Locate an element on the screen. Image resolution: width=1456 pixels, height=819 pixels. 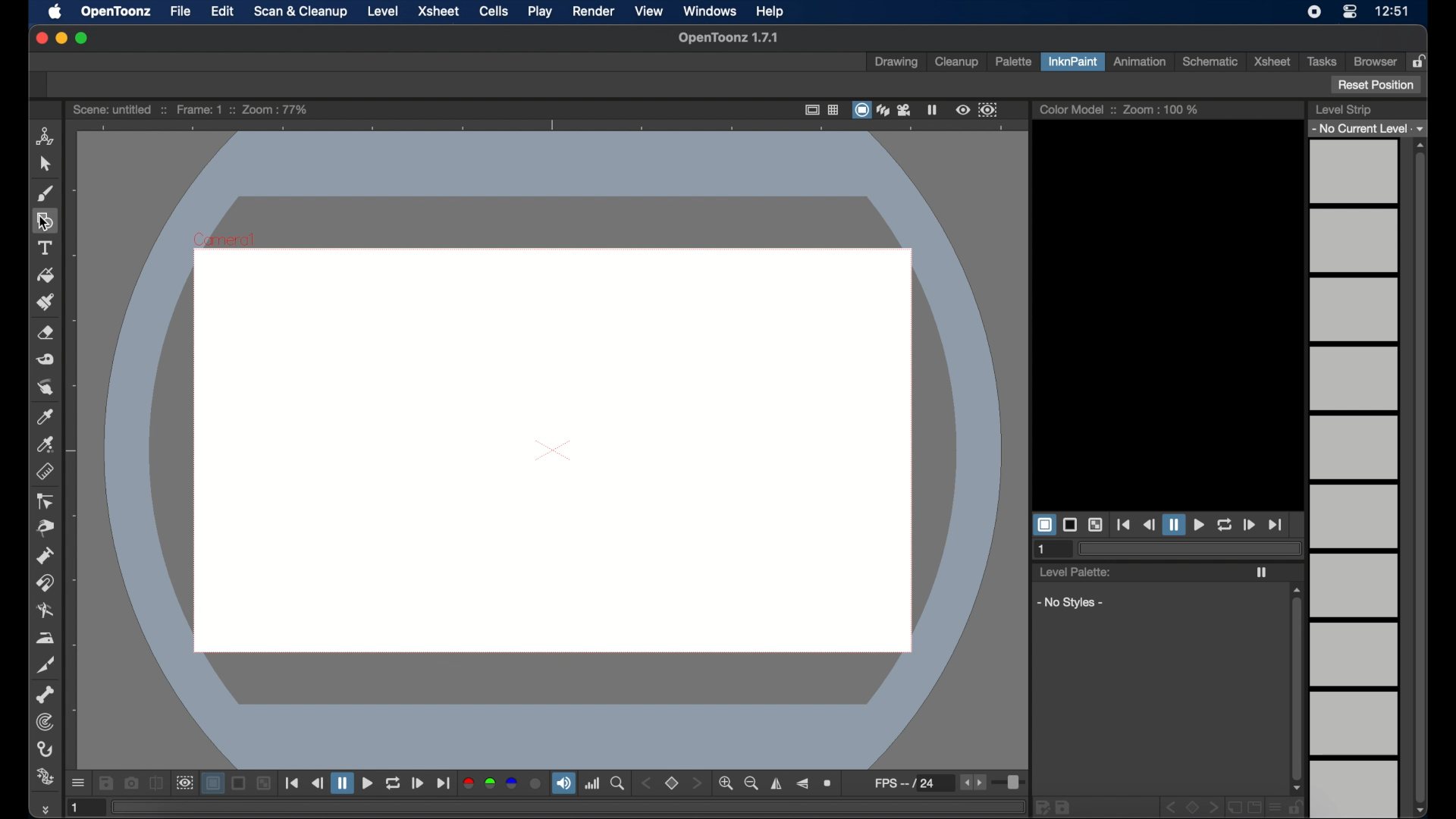
iron tool is located at coordinates (45, 639).